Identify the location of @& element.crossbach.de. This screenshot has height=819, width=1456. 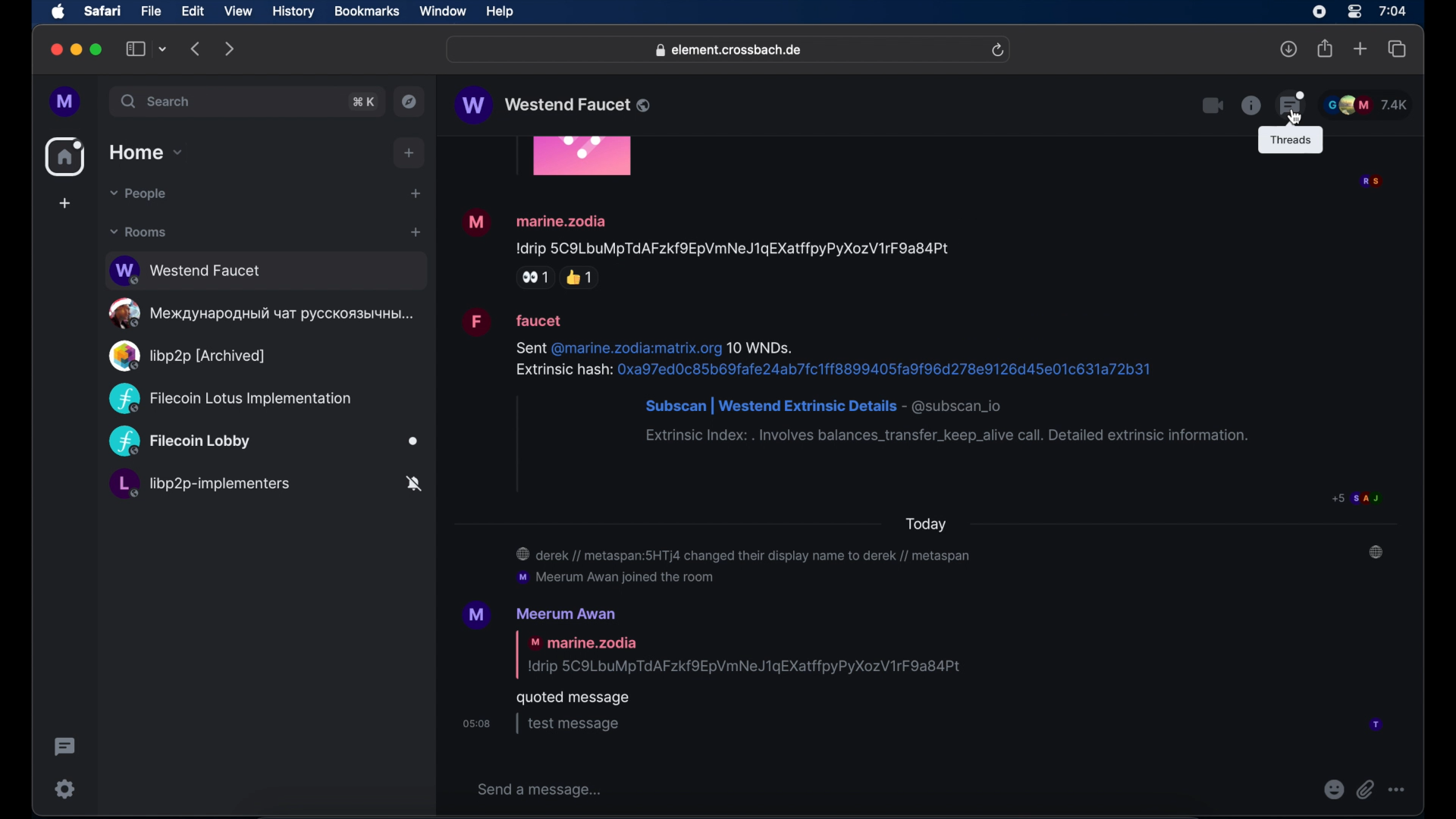
(732, 52).